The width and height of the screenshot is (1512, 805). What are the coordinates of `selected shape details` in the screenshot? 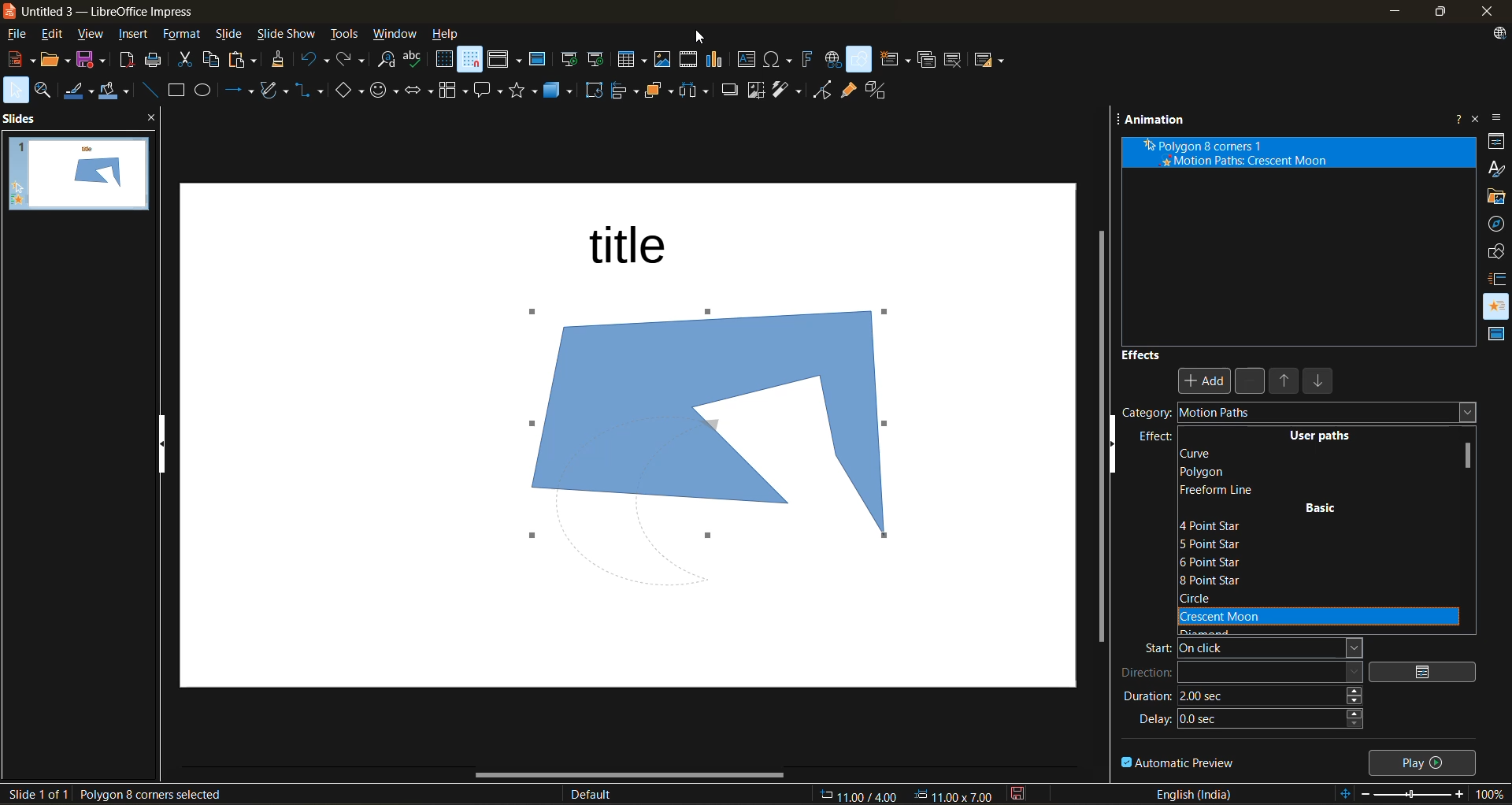 It's located at (150, 796).